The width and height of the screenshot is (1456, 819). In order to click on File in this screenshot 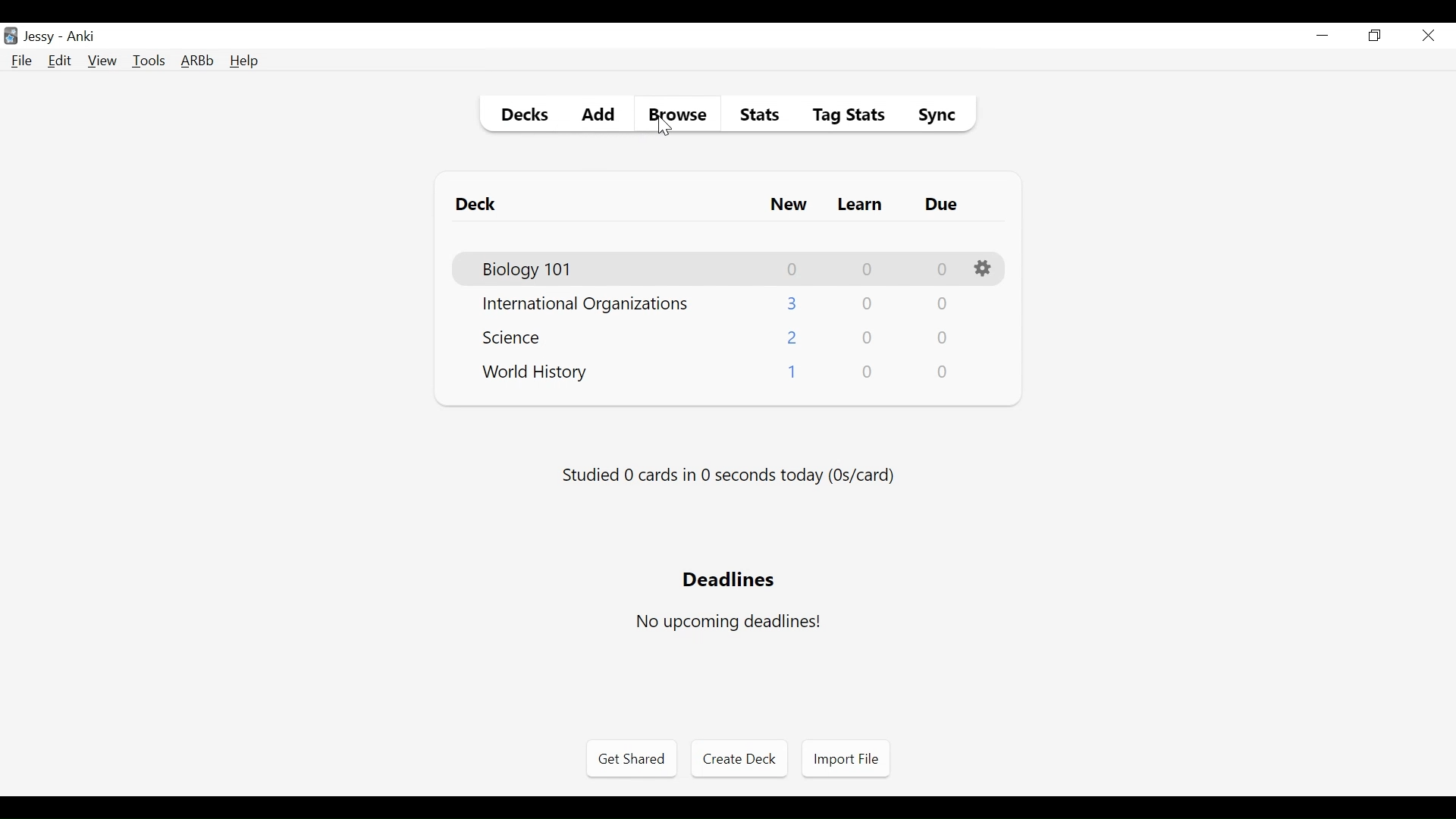, I will do `click(22, 62)`.